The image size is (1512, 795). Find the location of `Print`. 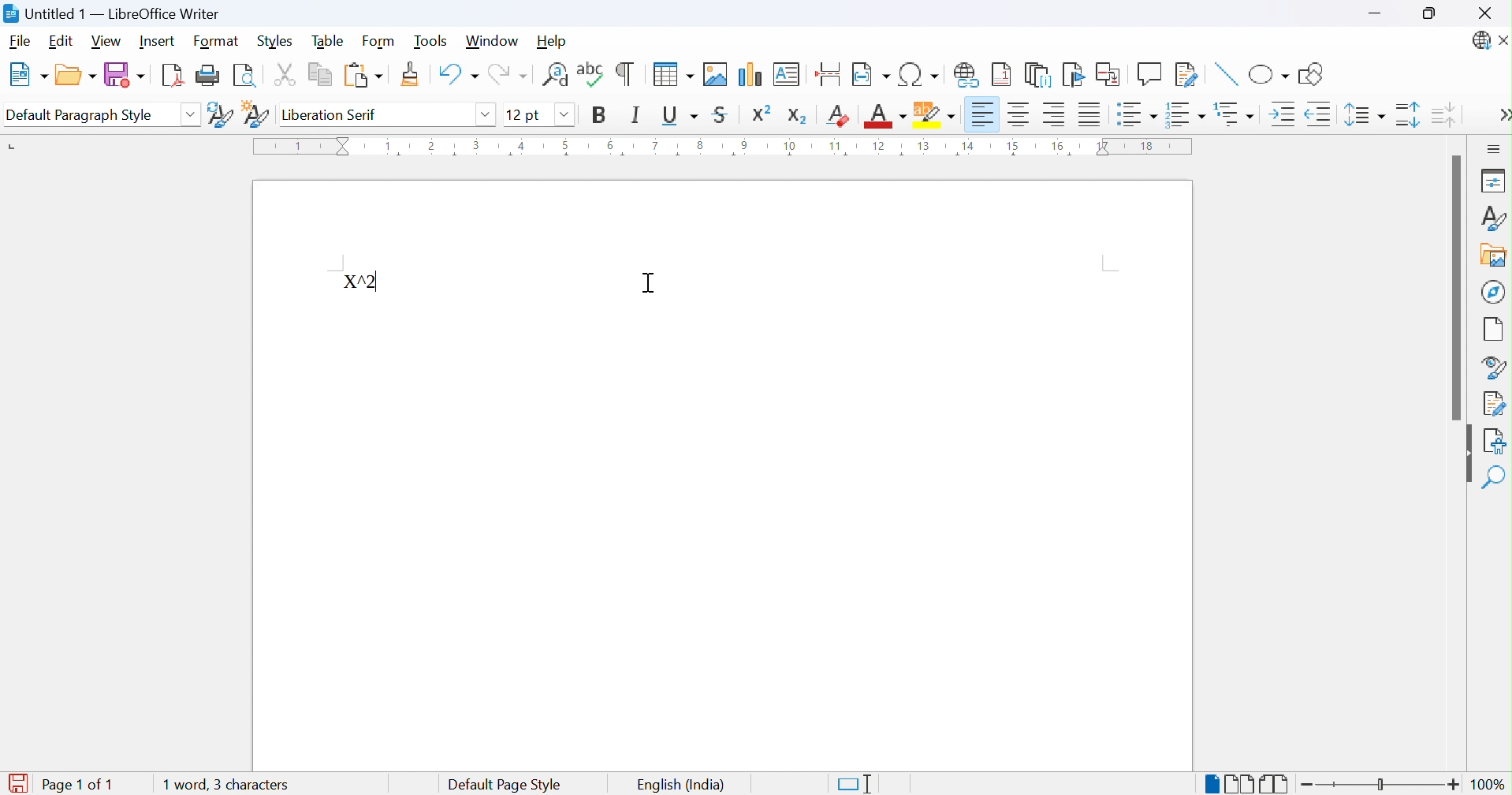

Print is located at coordinates (209, 75).